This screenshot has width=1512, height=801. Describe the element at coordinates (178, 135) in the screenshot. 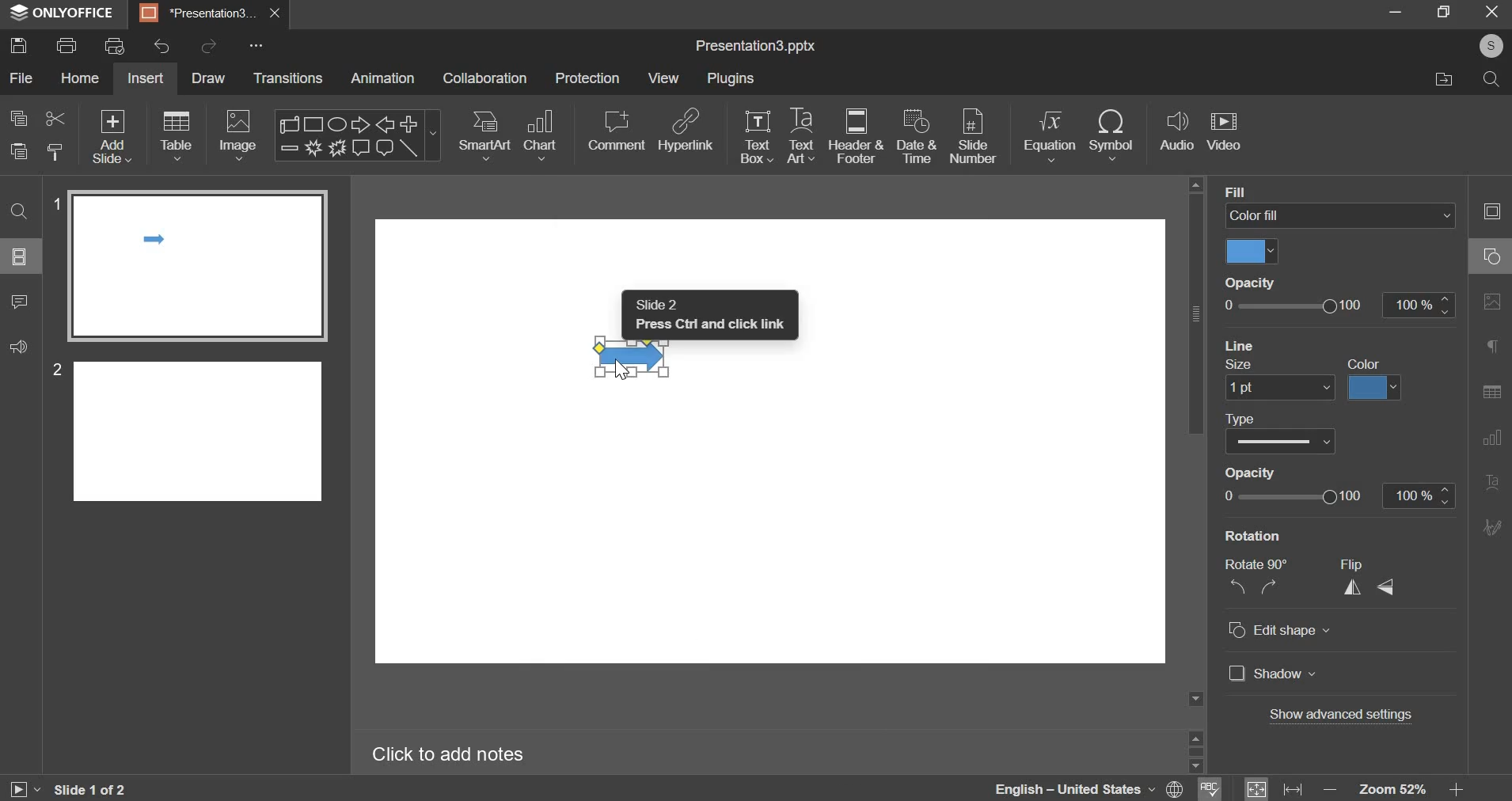

I see `table` at that location.